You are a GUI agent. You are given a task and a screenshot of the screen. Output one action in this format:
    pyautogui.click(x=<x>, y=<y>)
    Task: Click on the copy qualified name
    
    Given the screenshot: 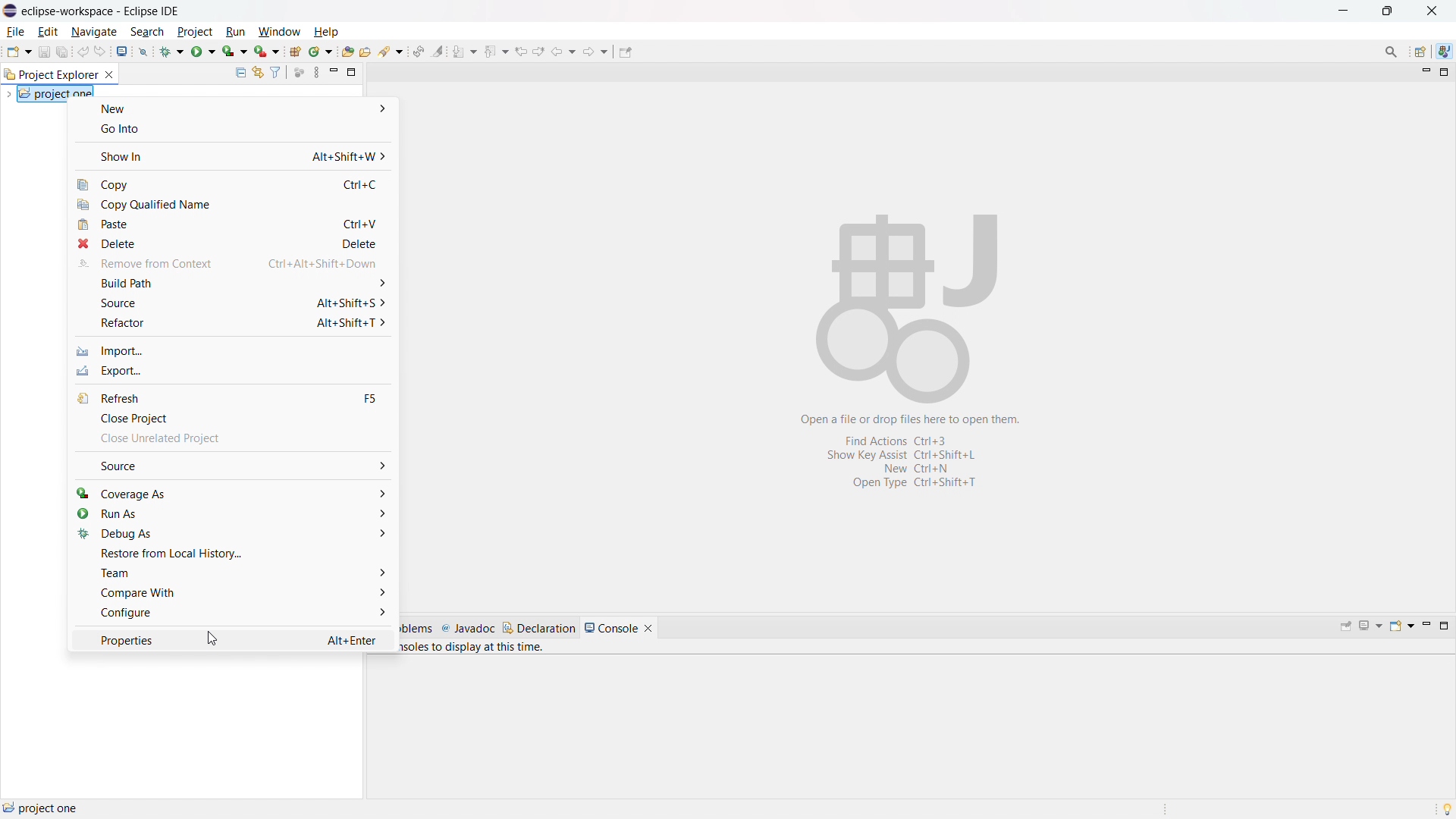 What is the action you would take?
    pyautogui.click(x=234, y=206)
    